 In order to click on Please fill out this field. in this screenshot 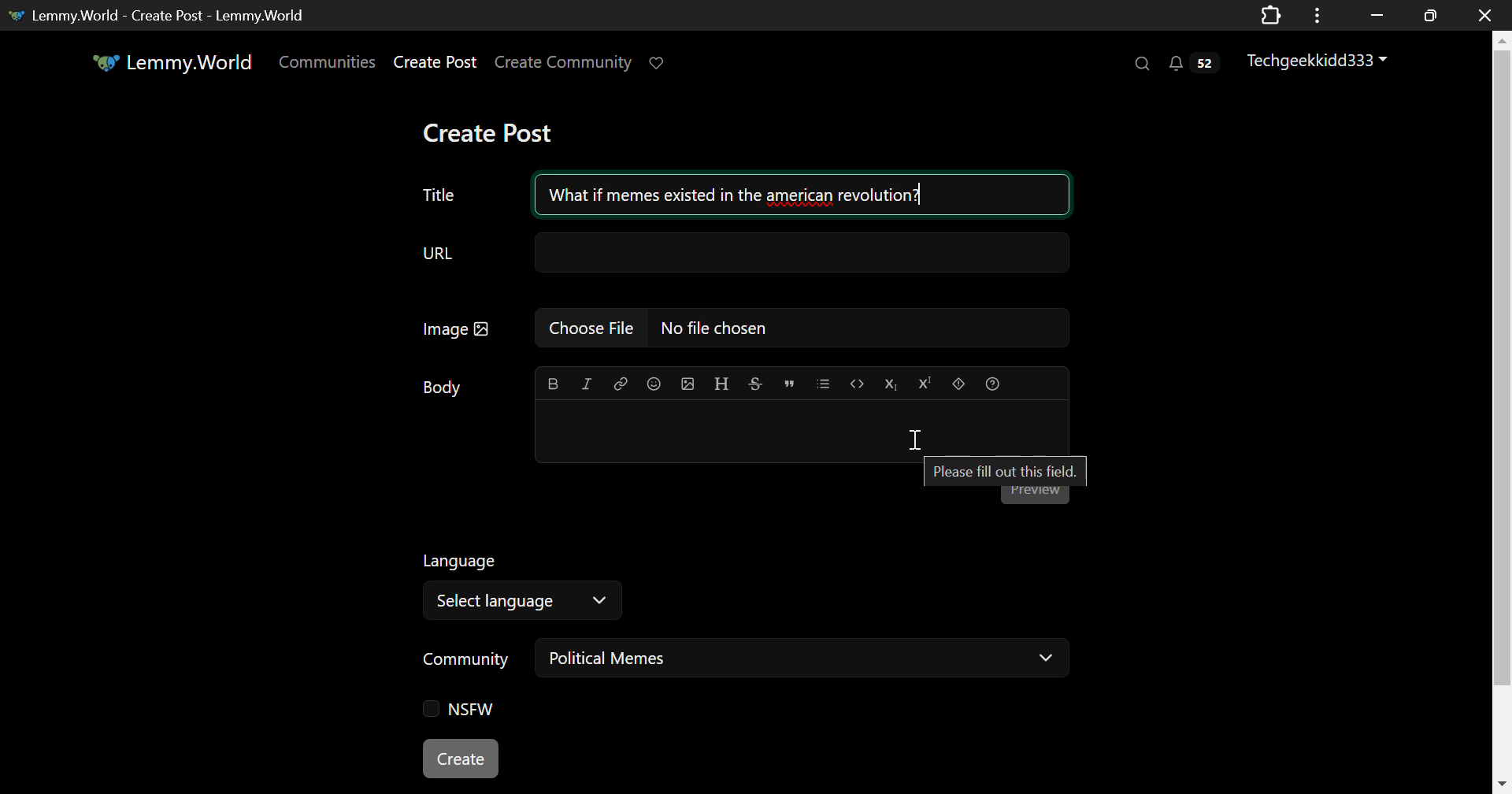, I will do `click(1003, 472)`.